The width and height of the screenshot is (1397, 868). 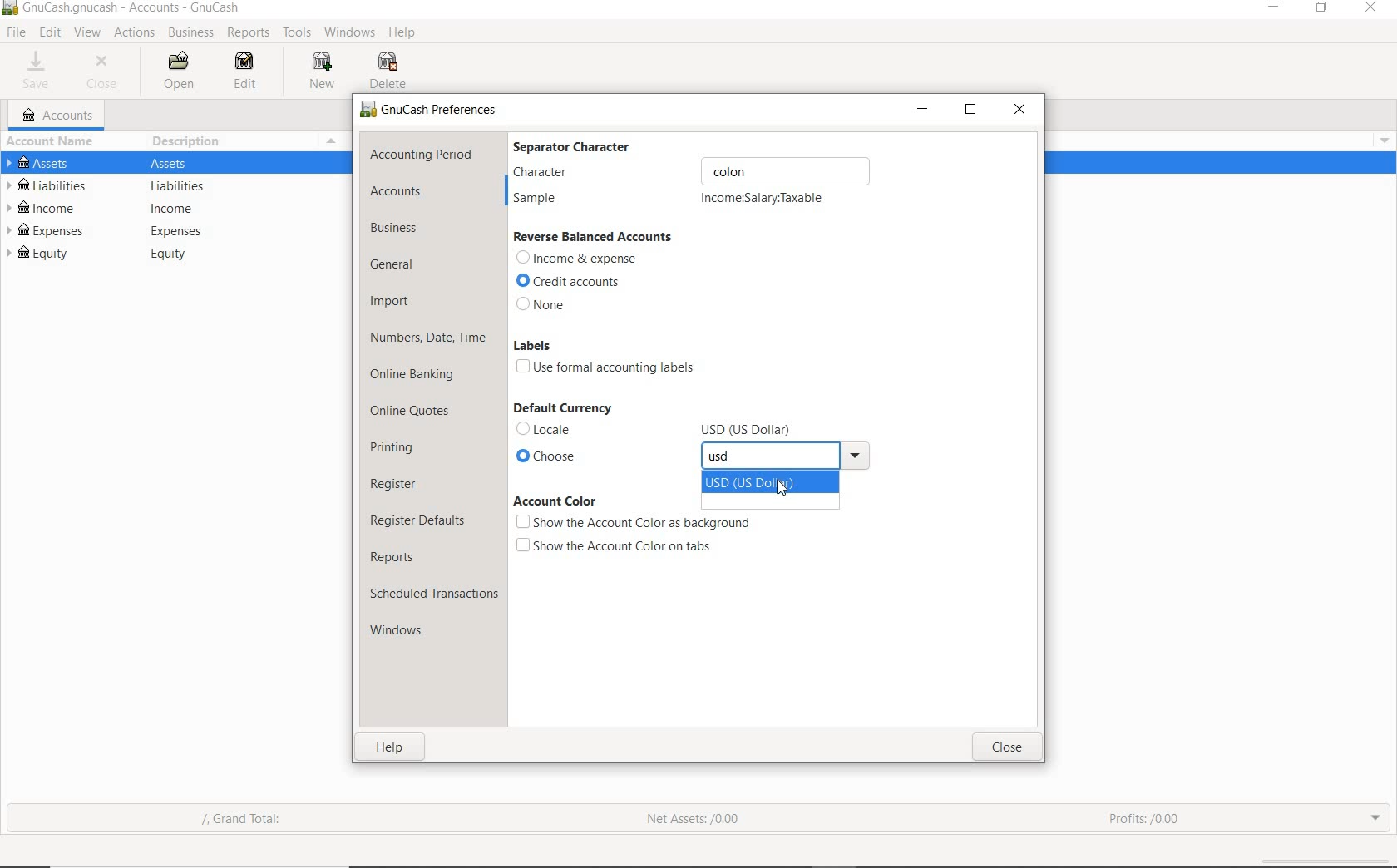 I want to click on close, so click(x=1007, y=747).